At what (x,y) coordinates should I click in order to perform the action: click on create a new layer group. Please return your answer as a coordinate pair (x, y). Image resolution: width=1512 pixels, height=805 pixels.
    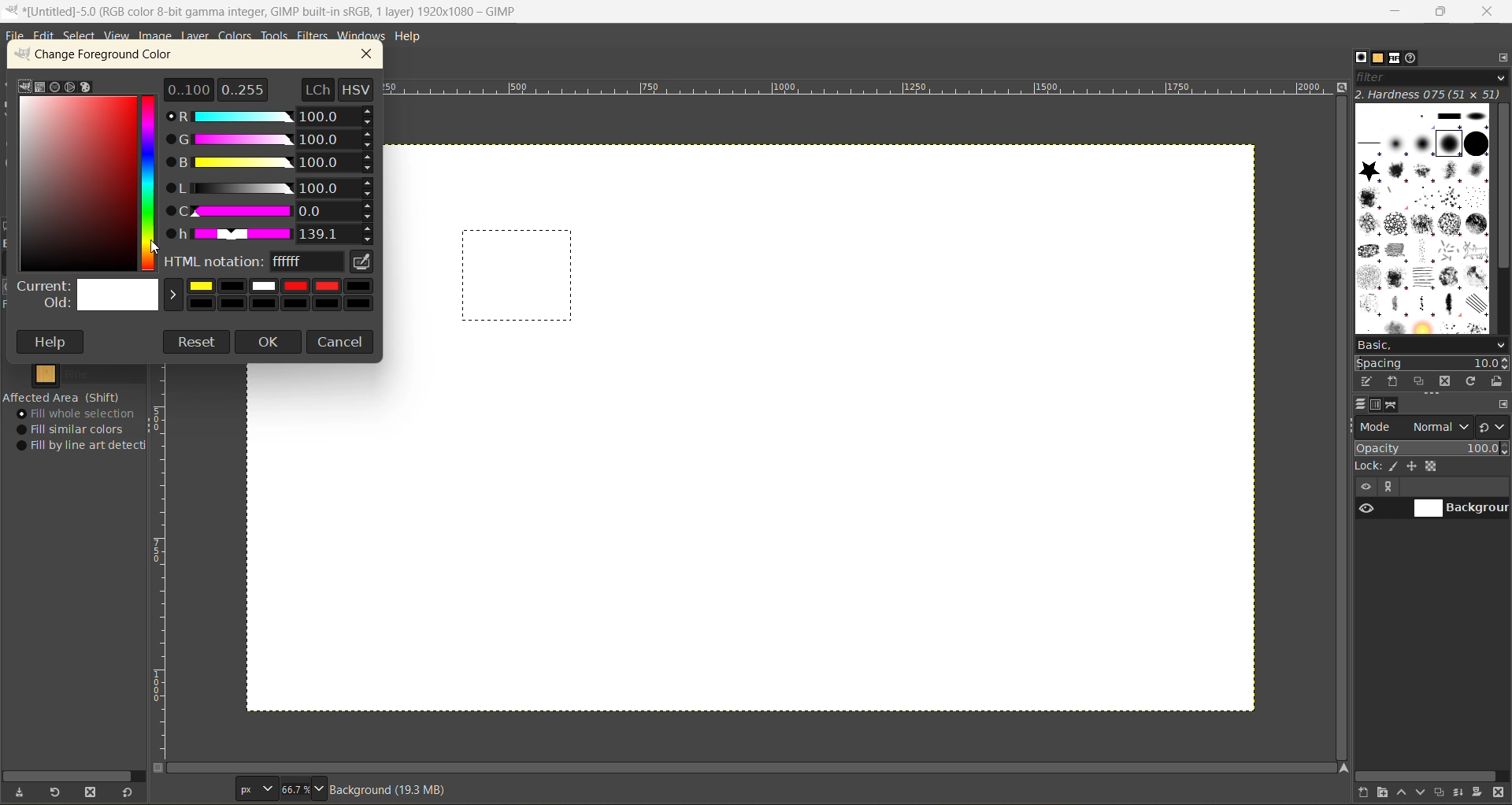
    Looking at the image, I should click on (1385, 793).